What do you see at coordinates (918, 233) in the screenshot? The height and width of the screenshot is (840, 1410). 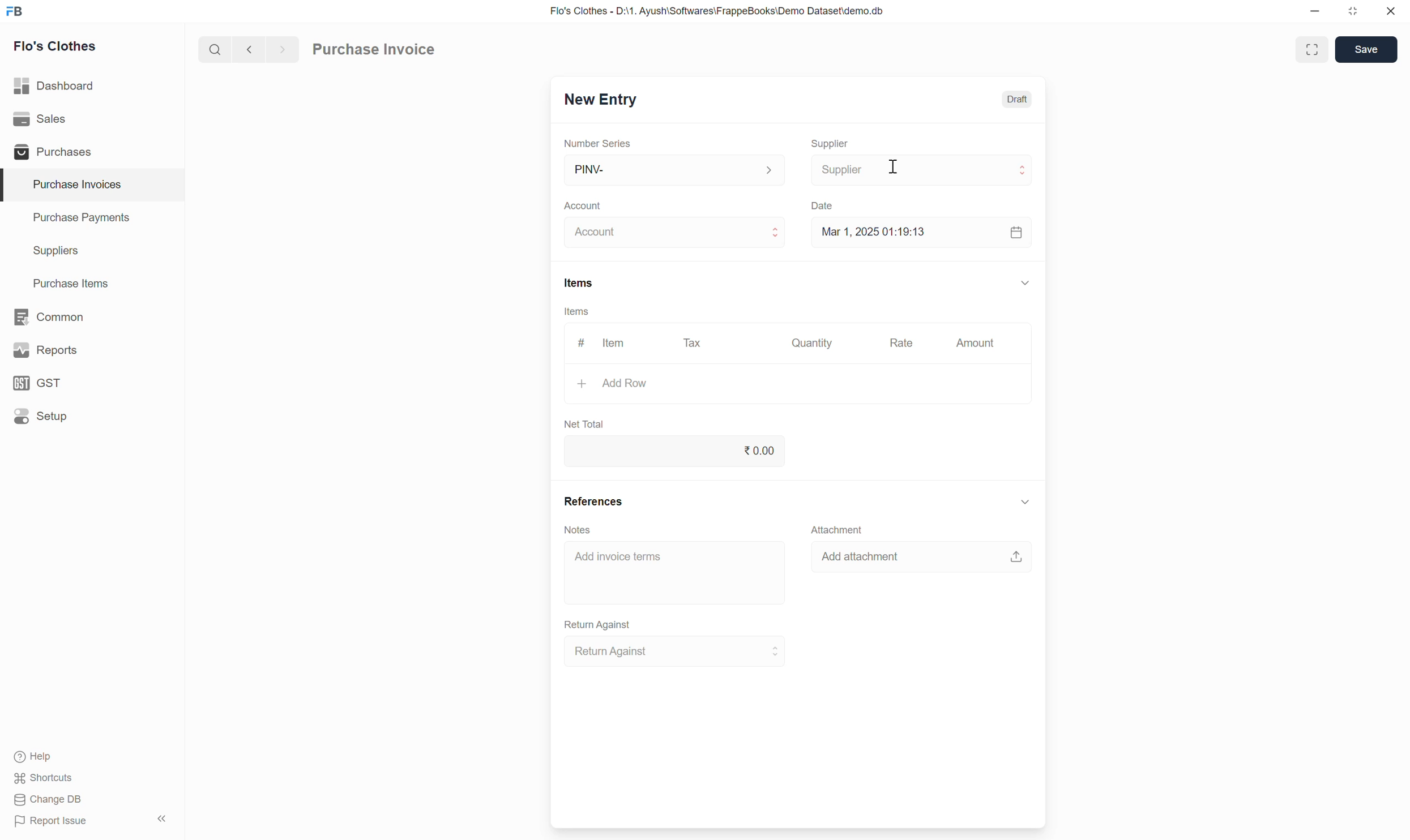 I see `Mar 1, 2025 01:19:13 ` at bounding box center [918, 233].